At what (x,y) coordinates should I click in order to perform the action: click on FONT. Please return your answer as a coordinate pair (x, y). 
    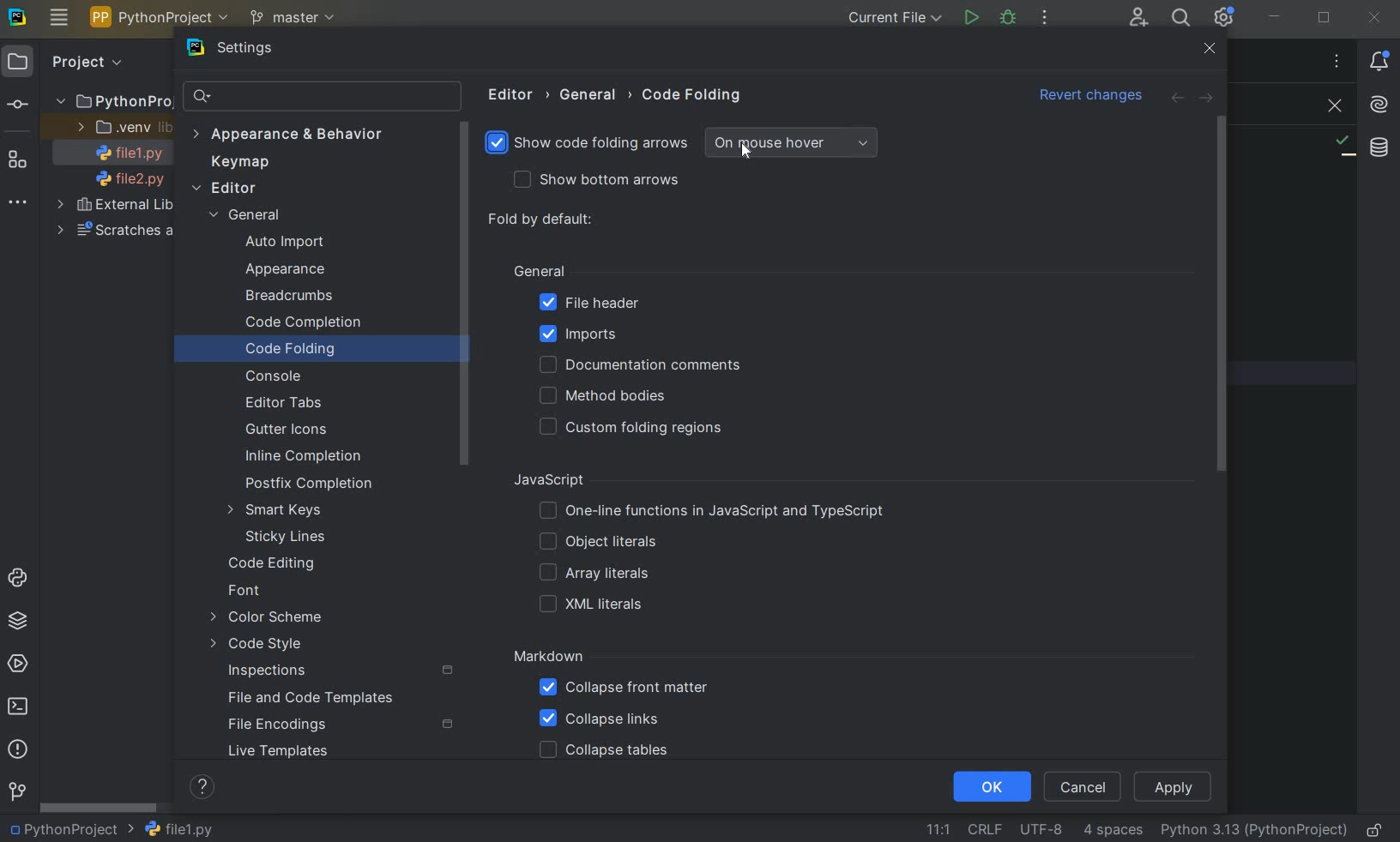
    Looking at the image, I should click on (251, 592).